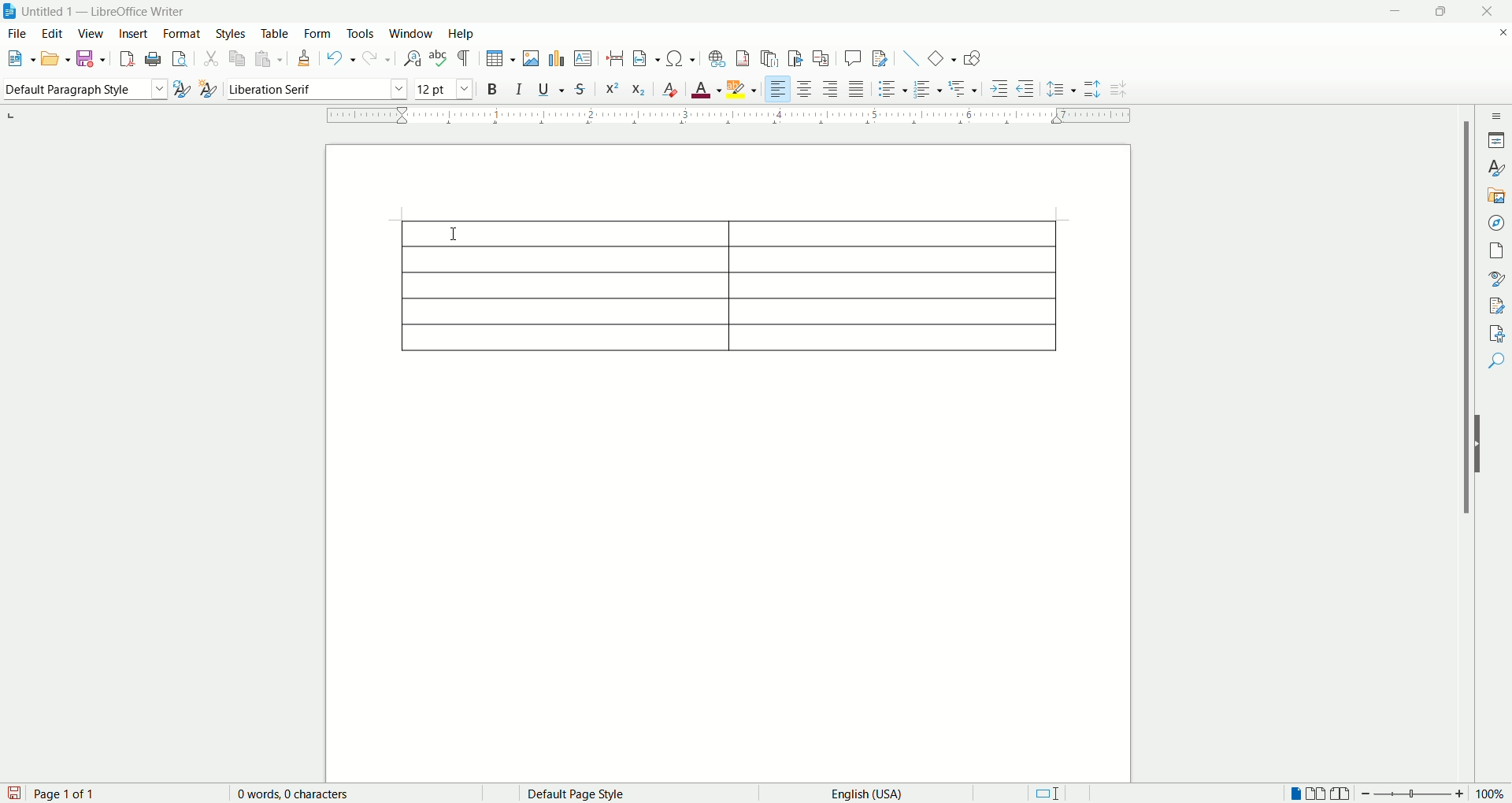 This screenshot has width=1512, height=803. What do you see at coordinates (292, 794) in the screenshot?
I see `word count` at bounding box center [292, 794].